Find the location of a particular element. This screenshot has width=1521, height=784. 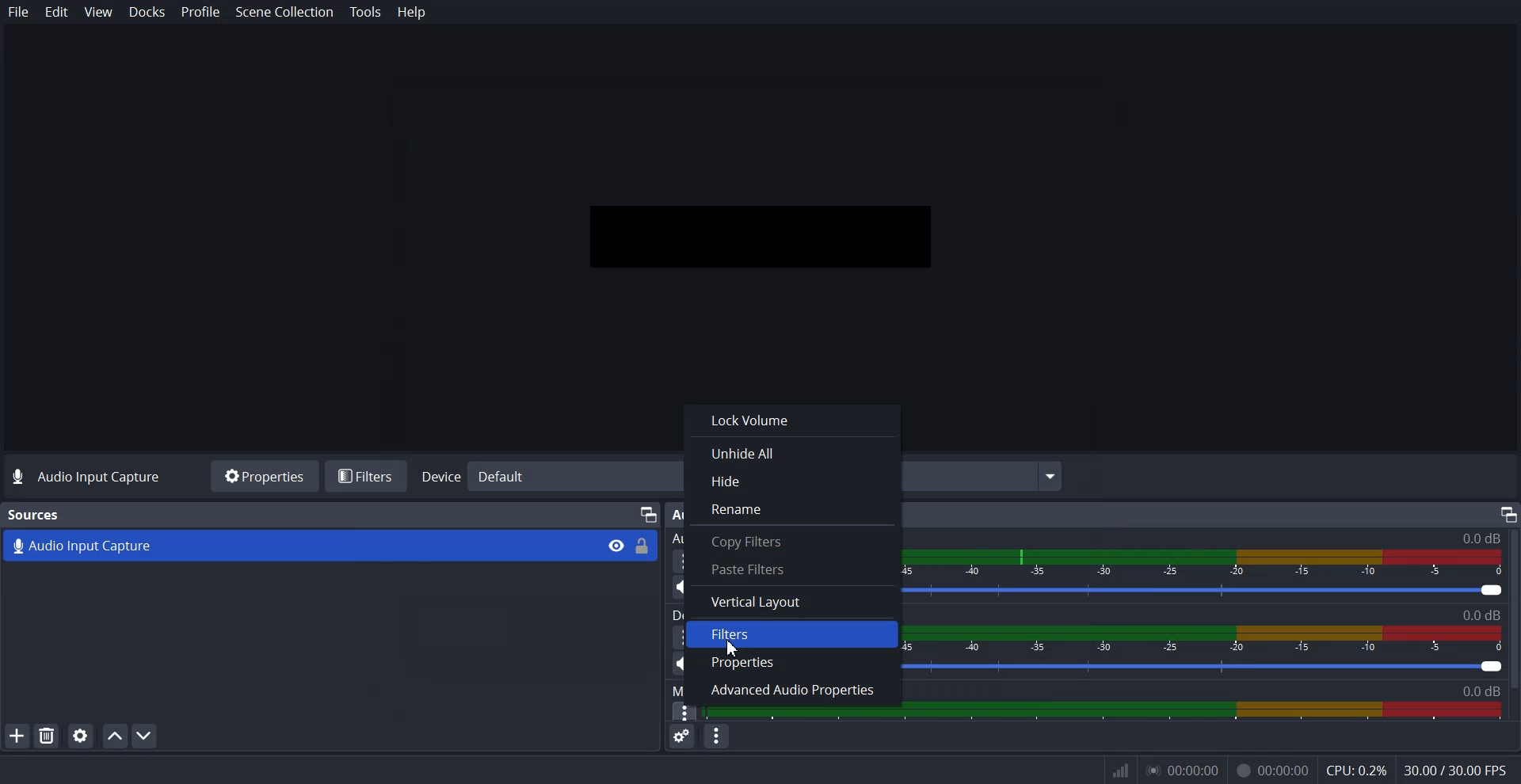

Lock is located at coordinates (642, 546).